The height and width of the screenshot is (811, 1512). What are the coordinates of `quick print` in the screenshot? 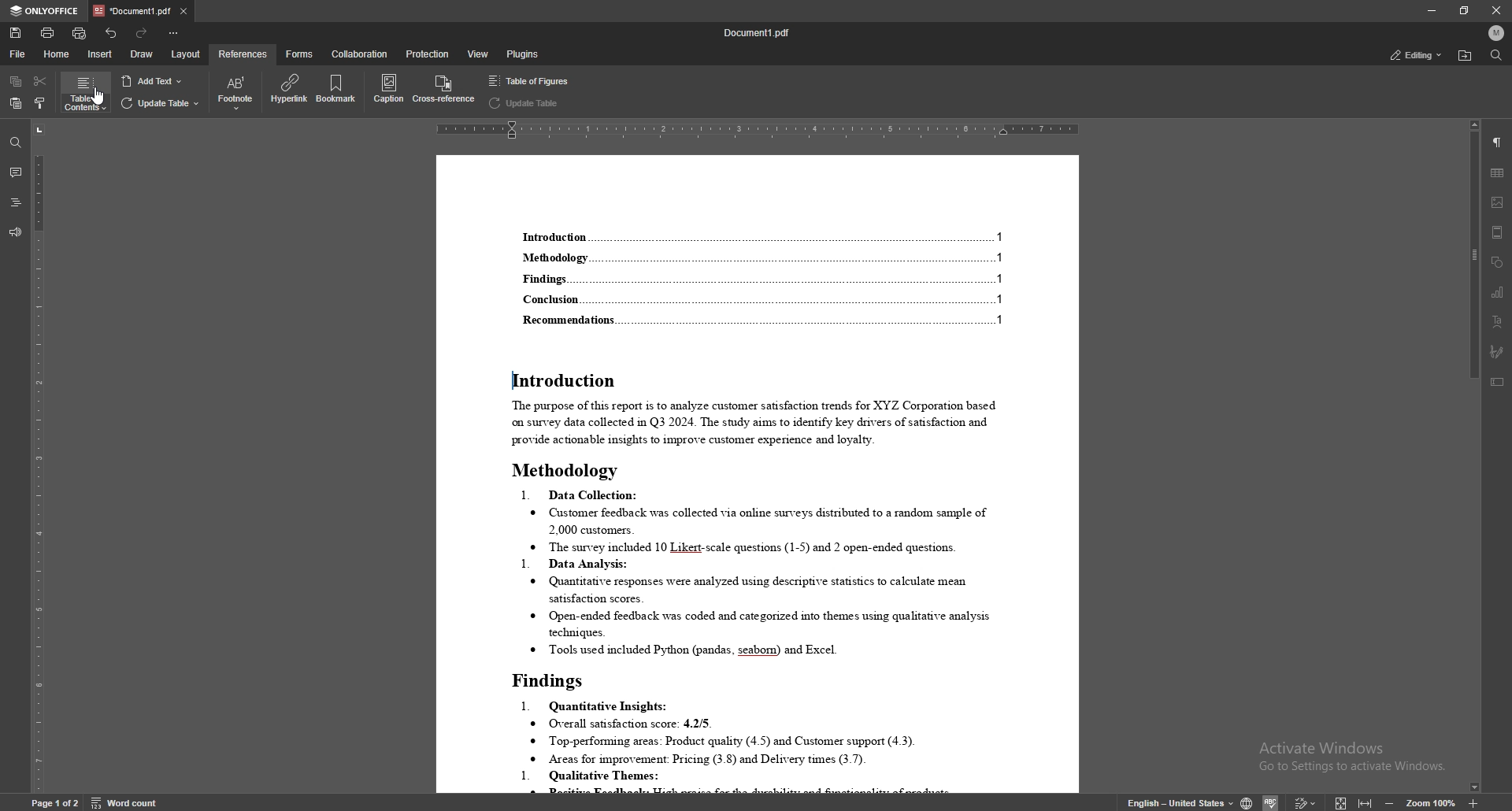 It's located at (80, 32).